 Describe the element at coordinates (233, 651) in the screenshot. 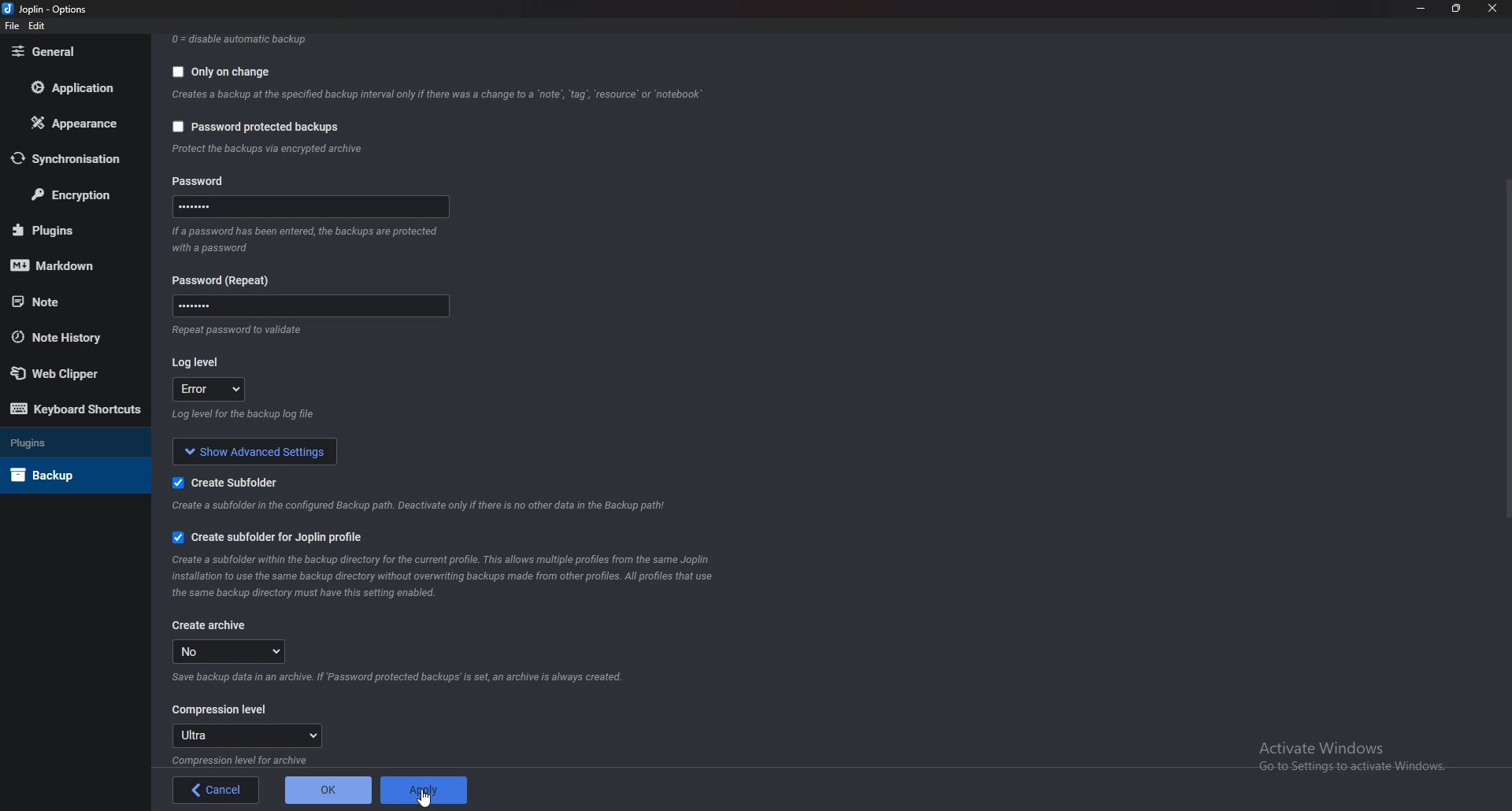

I see `no` at that location.